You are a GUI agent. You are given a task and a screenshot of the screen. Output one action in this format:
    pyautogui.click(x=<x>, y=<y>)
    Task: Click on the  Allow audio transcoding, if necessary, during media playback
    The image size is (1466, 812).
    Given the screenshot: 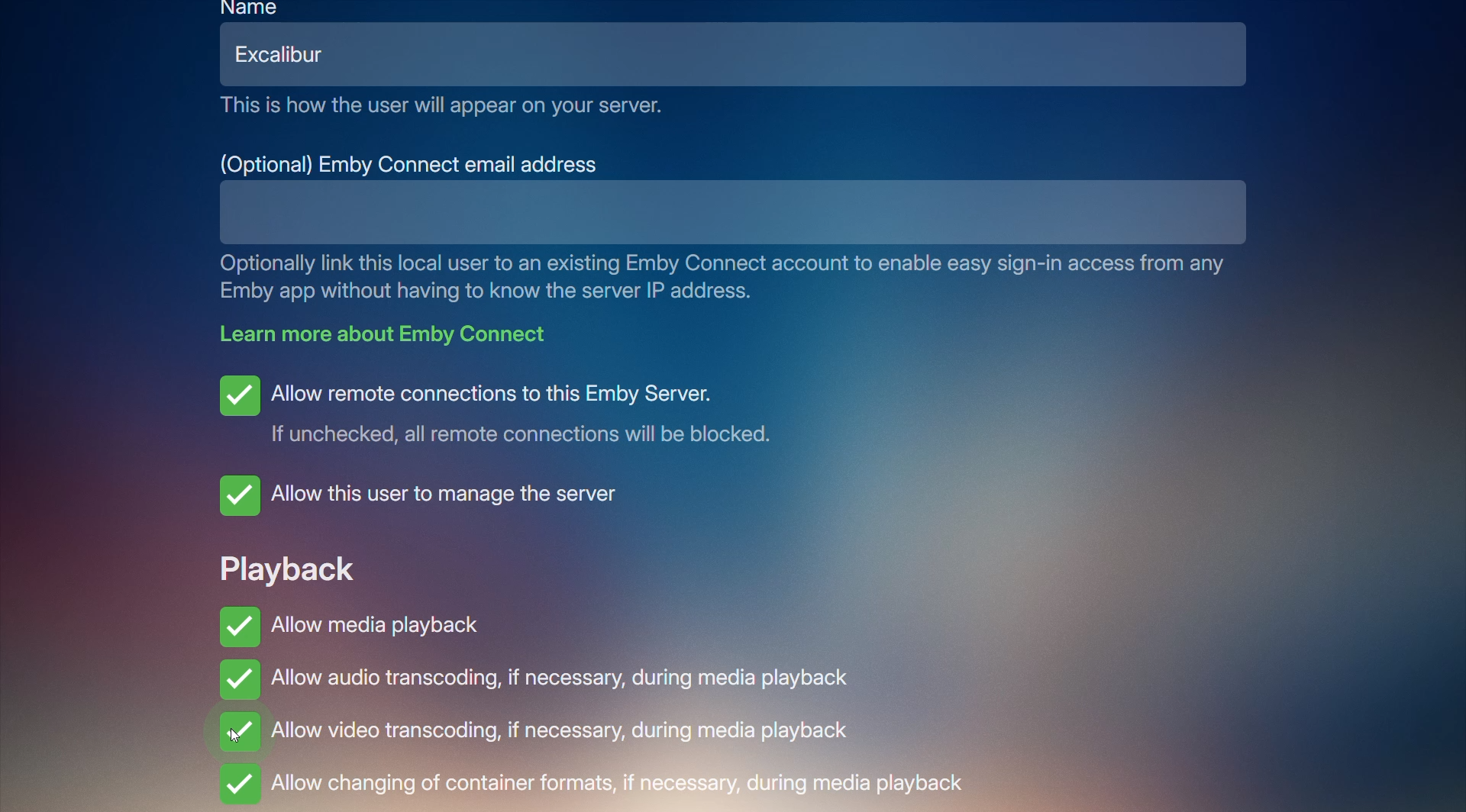 What is the action you would take?
    pyautogui.click(x=541, y=683)
    